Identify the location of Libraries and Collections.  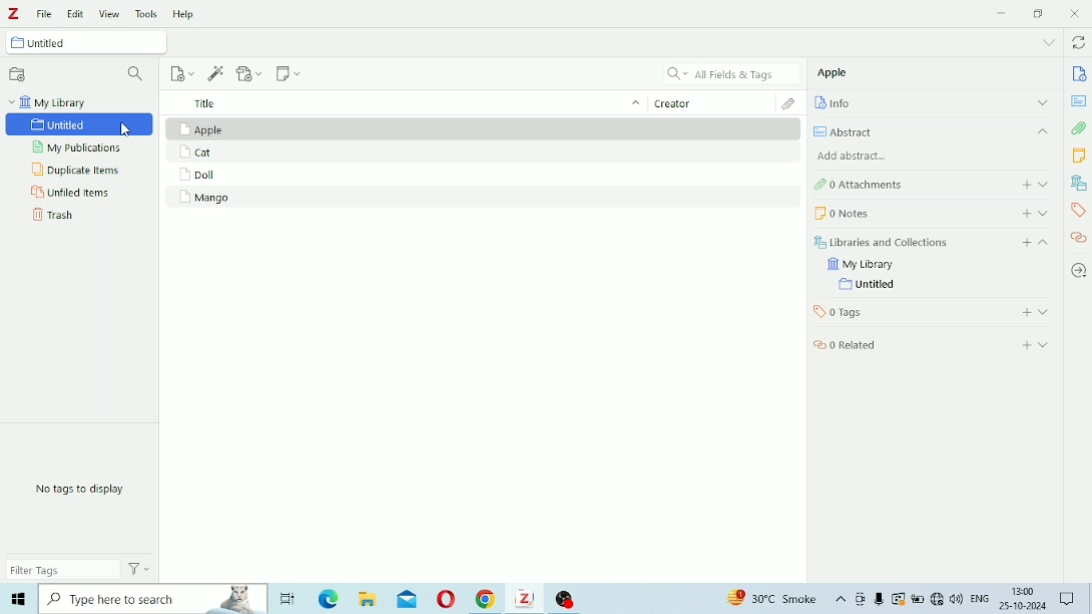
(880, 242).